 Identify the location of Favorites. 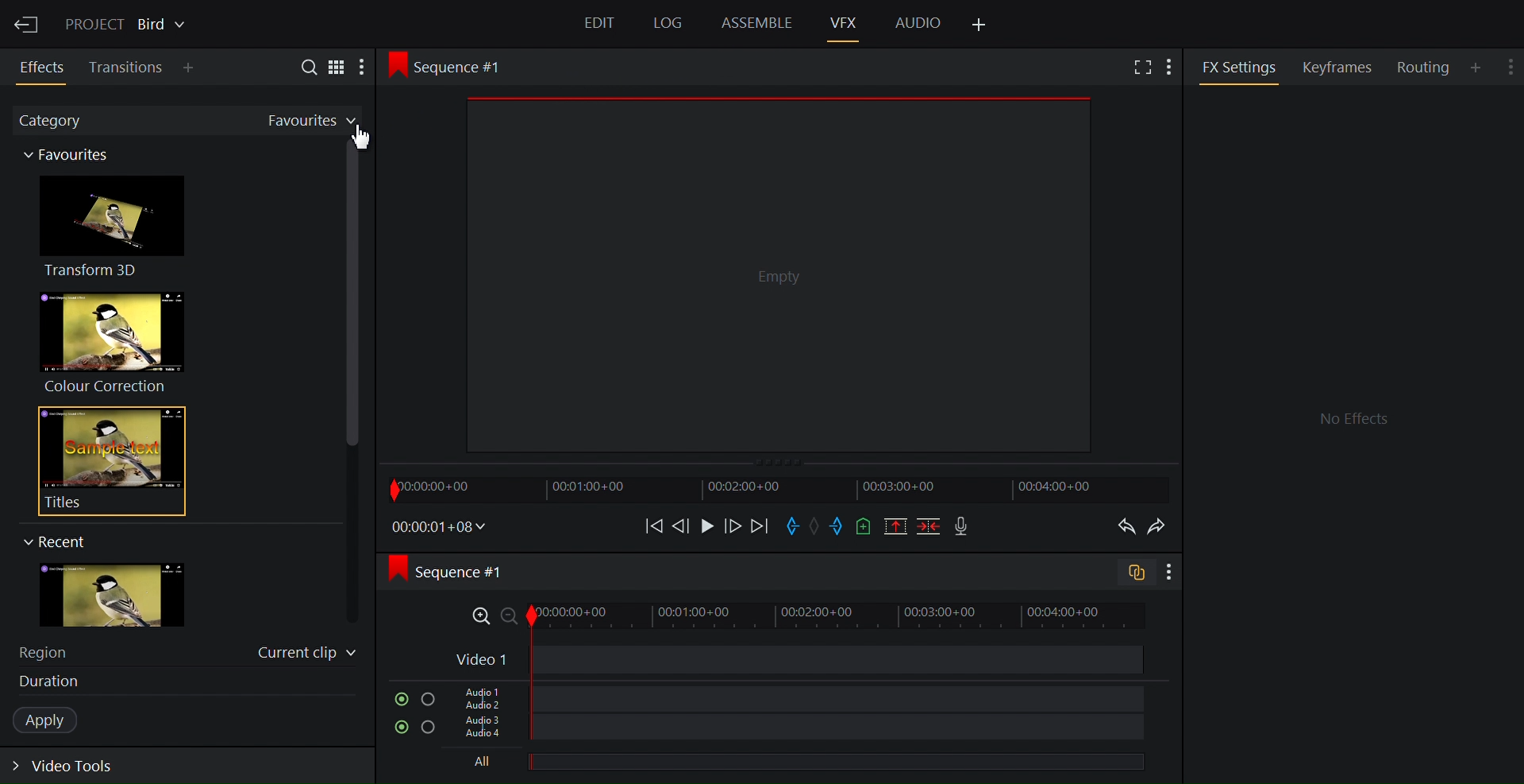
(297, 120).